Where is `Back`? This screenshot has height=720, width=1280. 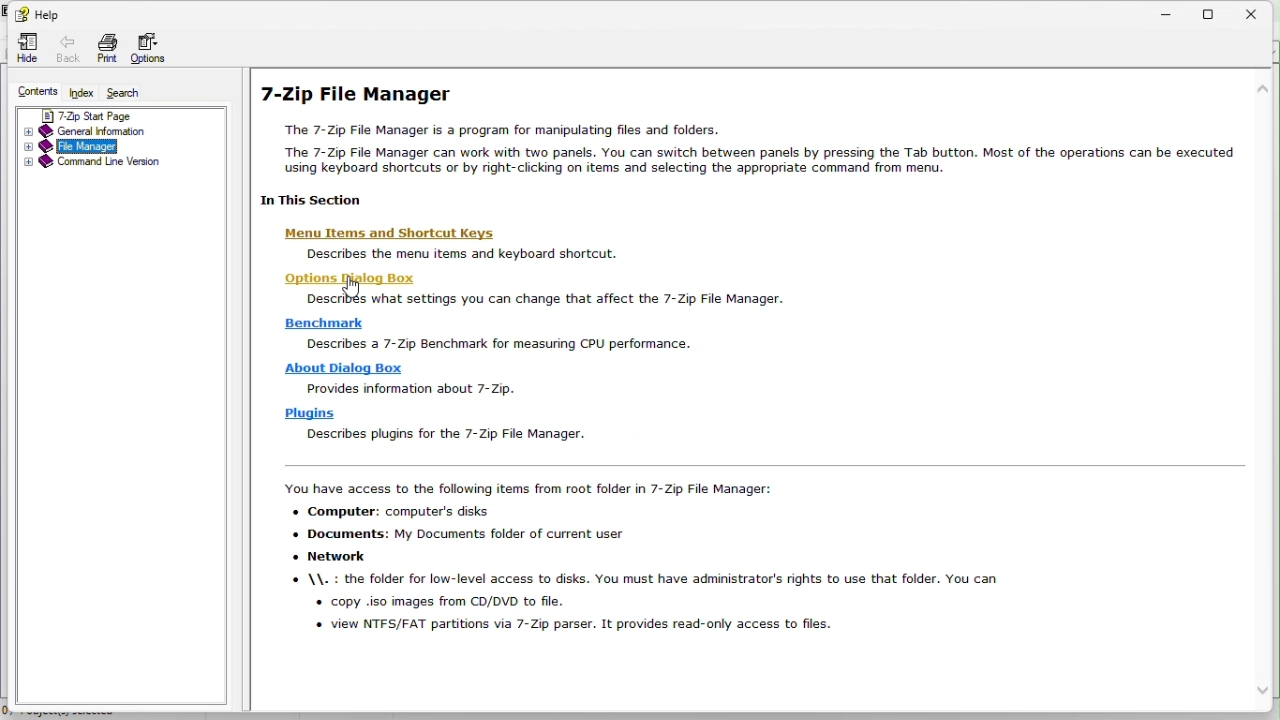 Back is located at coordinates (68, 50).